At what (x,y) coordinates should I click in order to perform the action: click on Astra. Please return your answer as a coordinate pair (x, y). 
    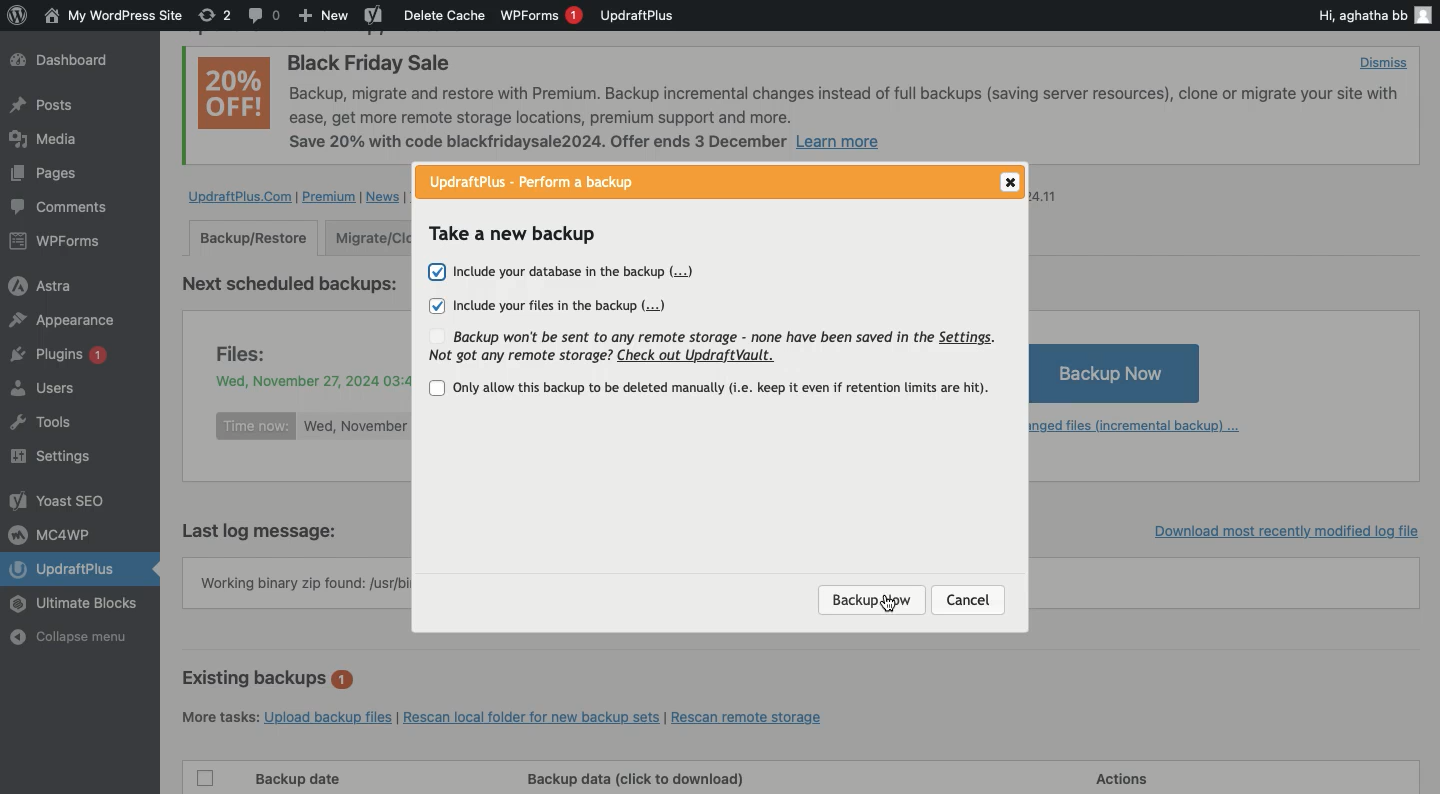
    Looking at the image, I should click on (57, 284).